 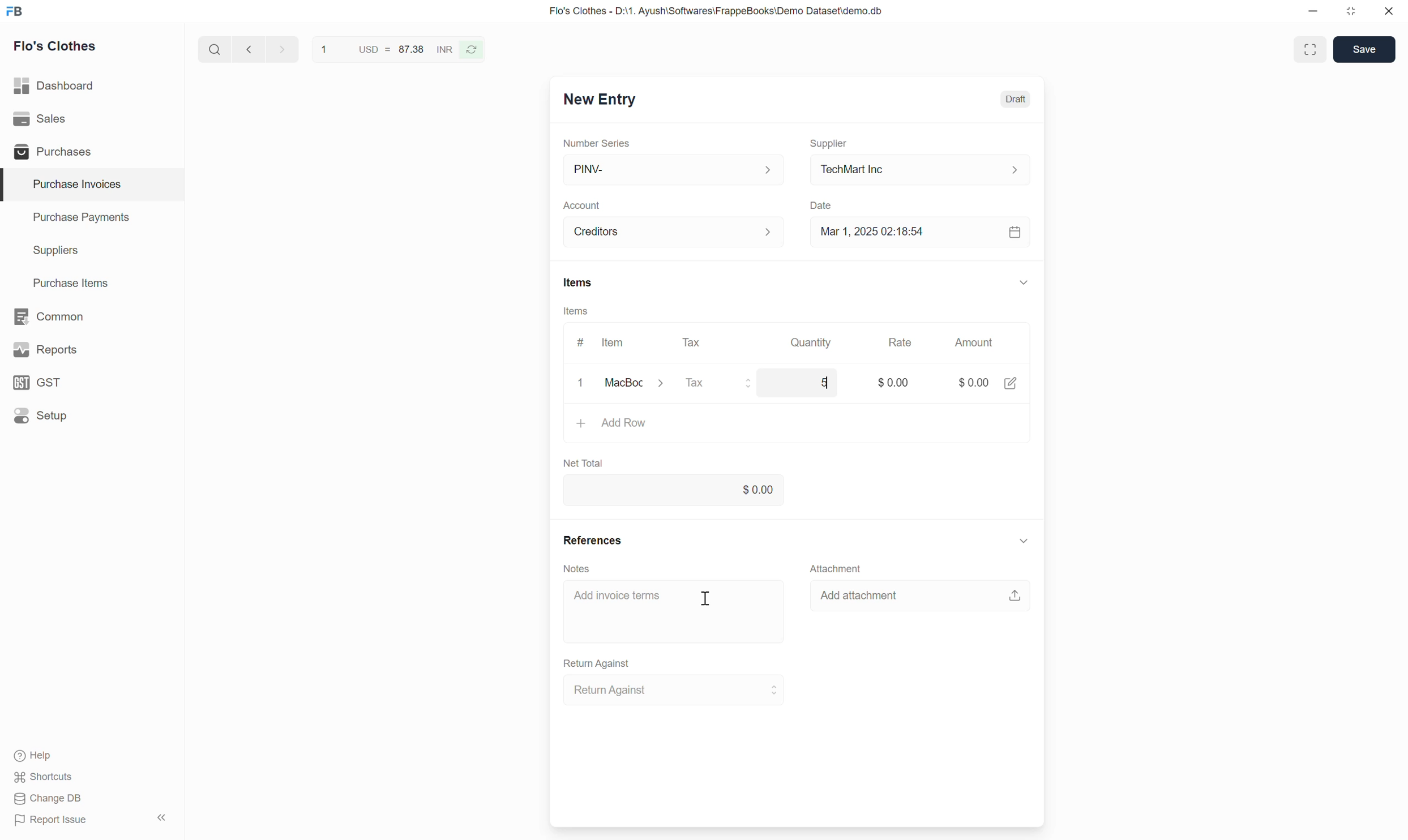 What do you see at coordinates (822, 206) in the screenshot?
I see `Date` at bounding box center [822, 206].